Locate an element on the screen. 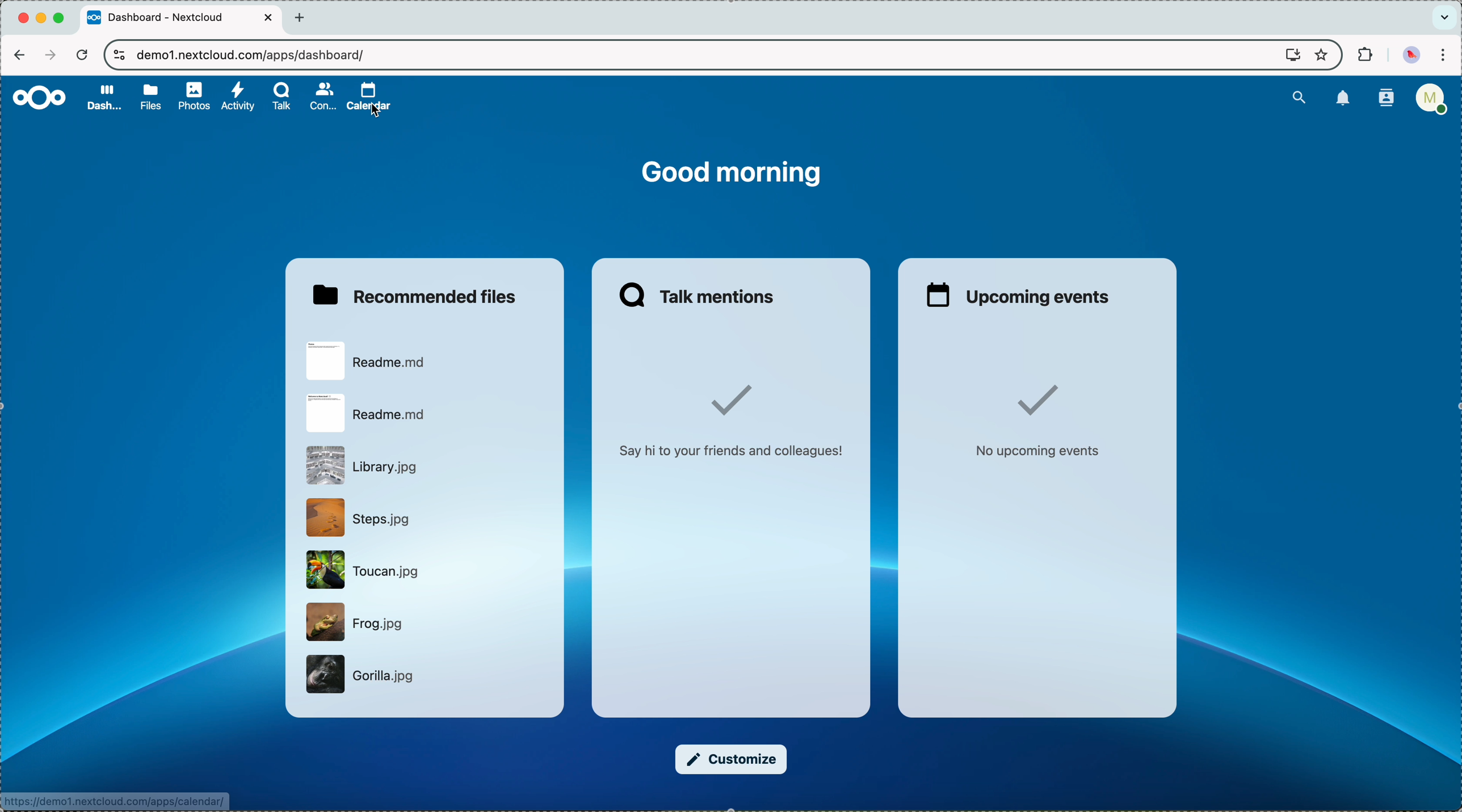  extensions is located at coordinates (1363, 56).